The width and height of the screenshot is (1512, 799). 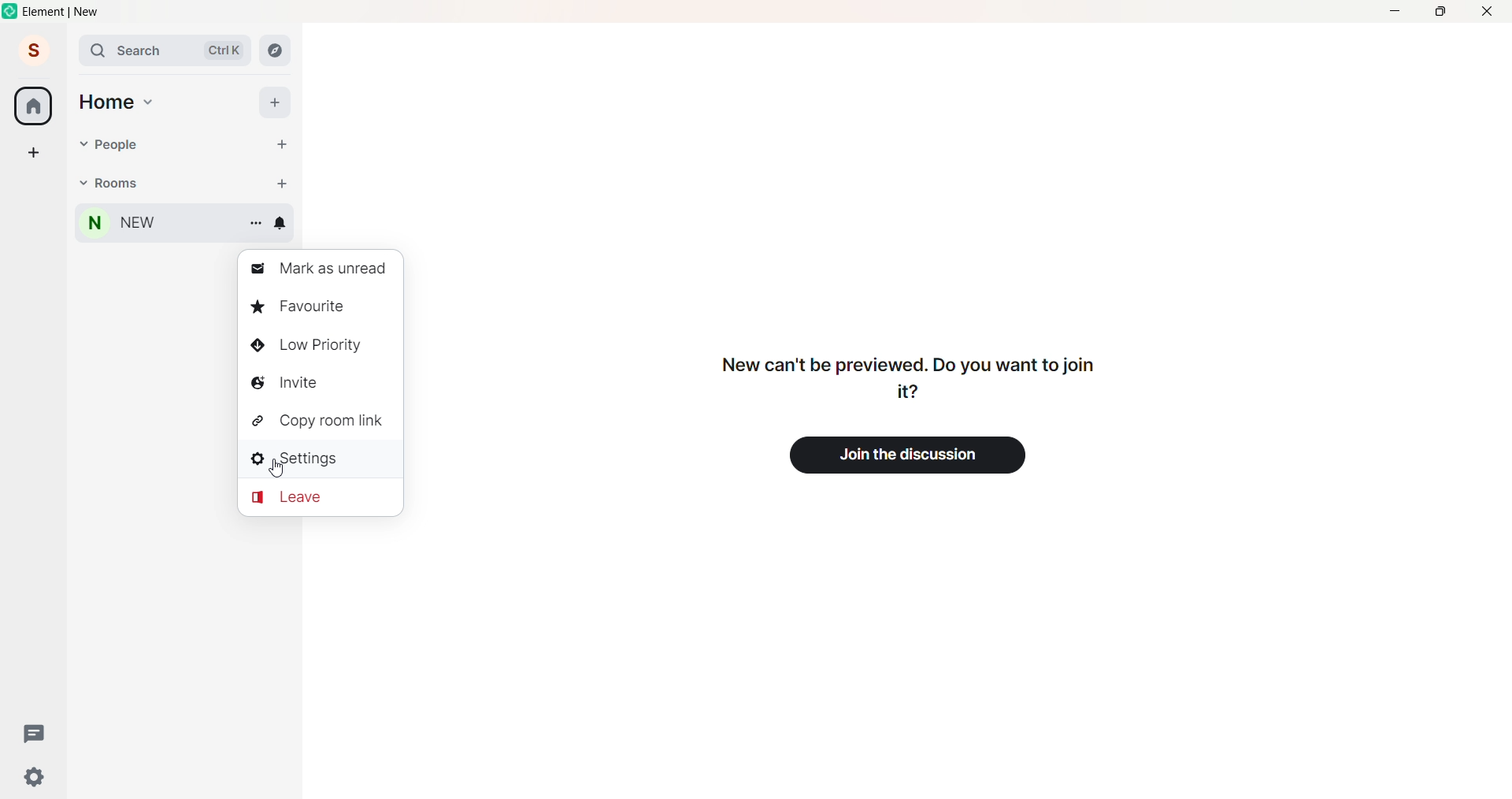 What do you see at coordinates (1490, 11) in the screenshot?
I see `close` at bounding box center [1490, 11].